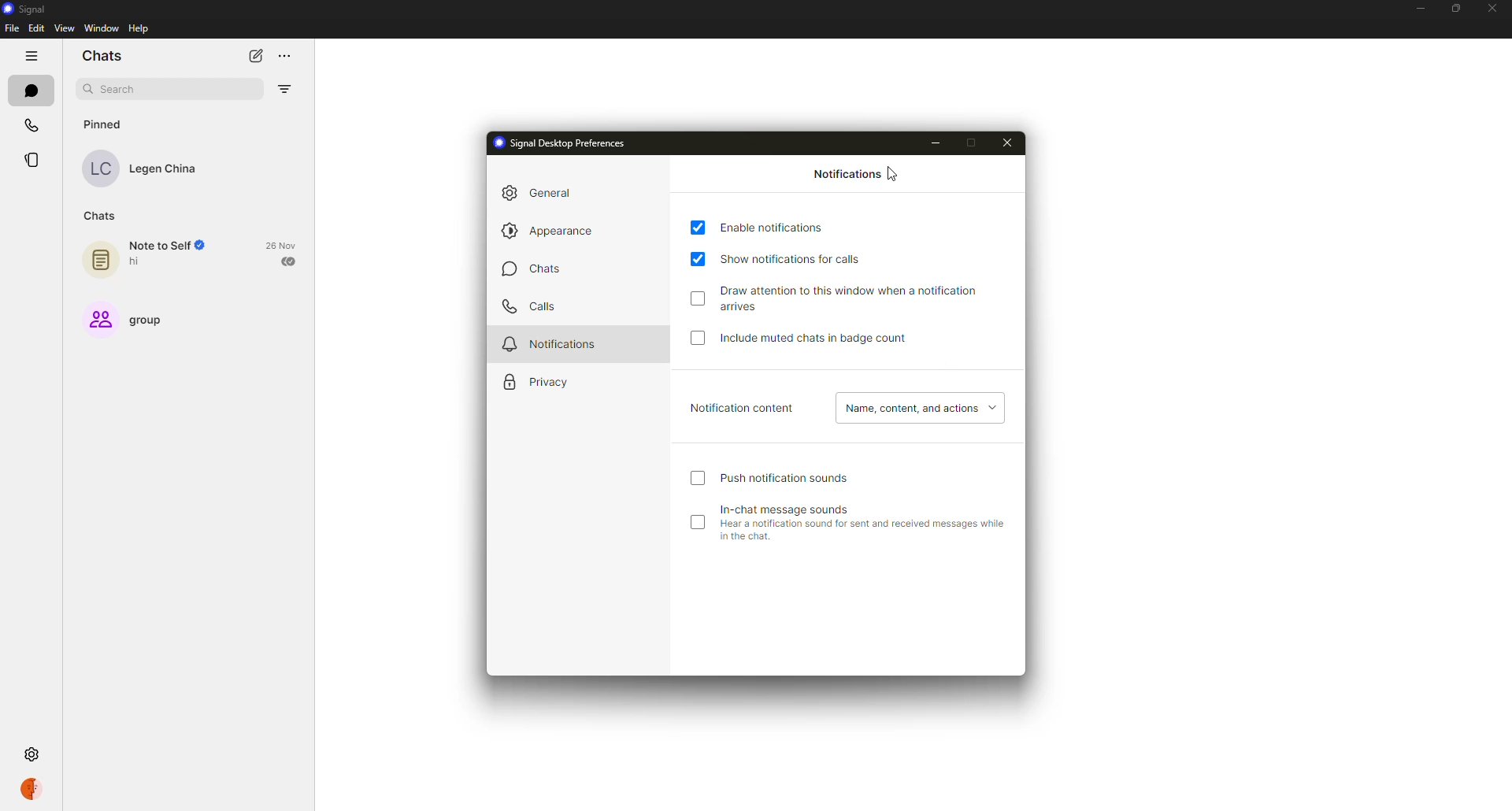 This screenshot has height=811, width=1512. Describe the element at coordinates (31, 756) in the screenshot. I see `settings` at that location.